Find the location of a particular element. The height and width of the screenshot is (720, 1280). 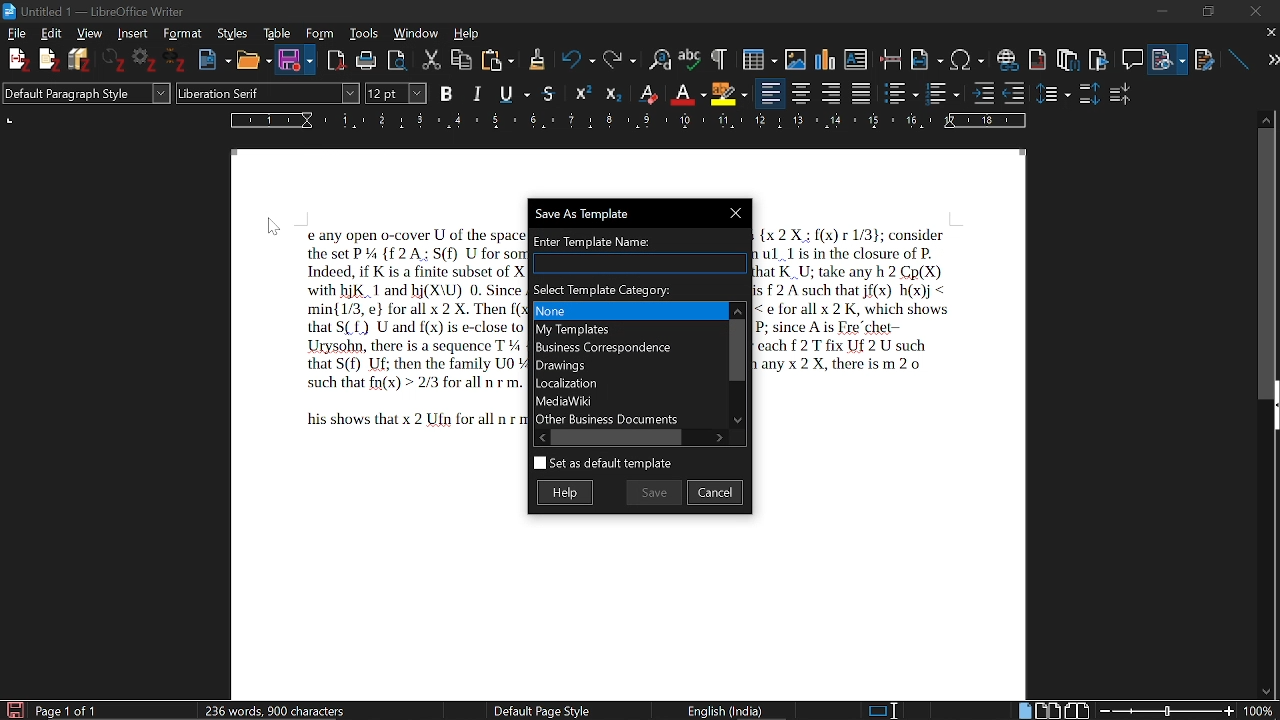

Current window is located at coordinates (595, 214).